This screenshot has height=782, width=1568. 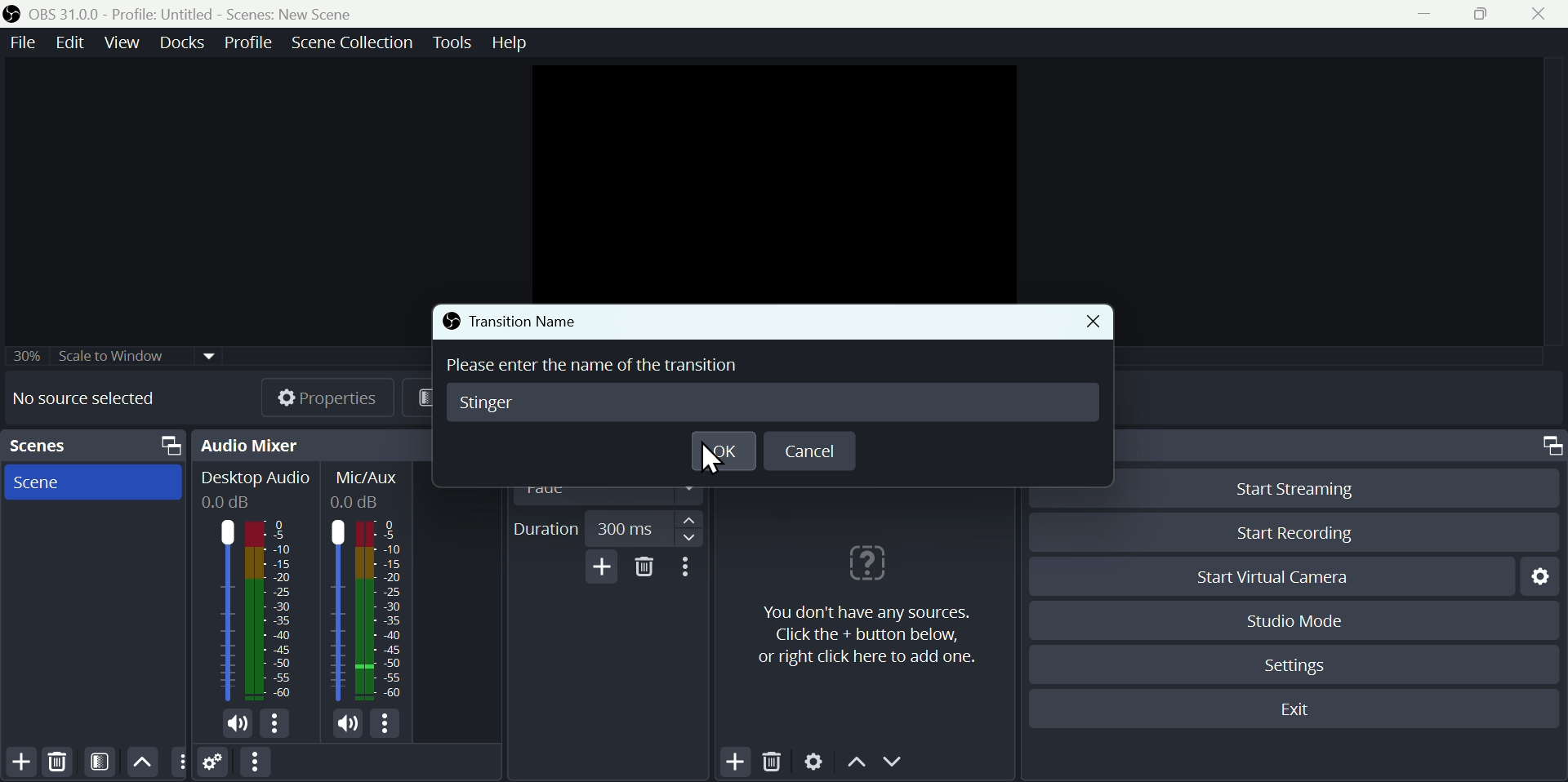 What do you see at coordinates (143, 761) in the screenshot?
I see `Up` at bounding box center [143, 761].